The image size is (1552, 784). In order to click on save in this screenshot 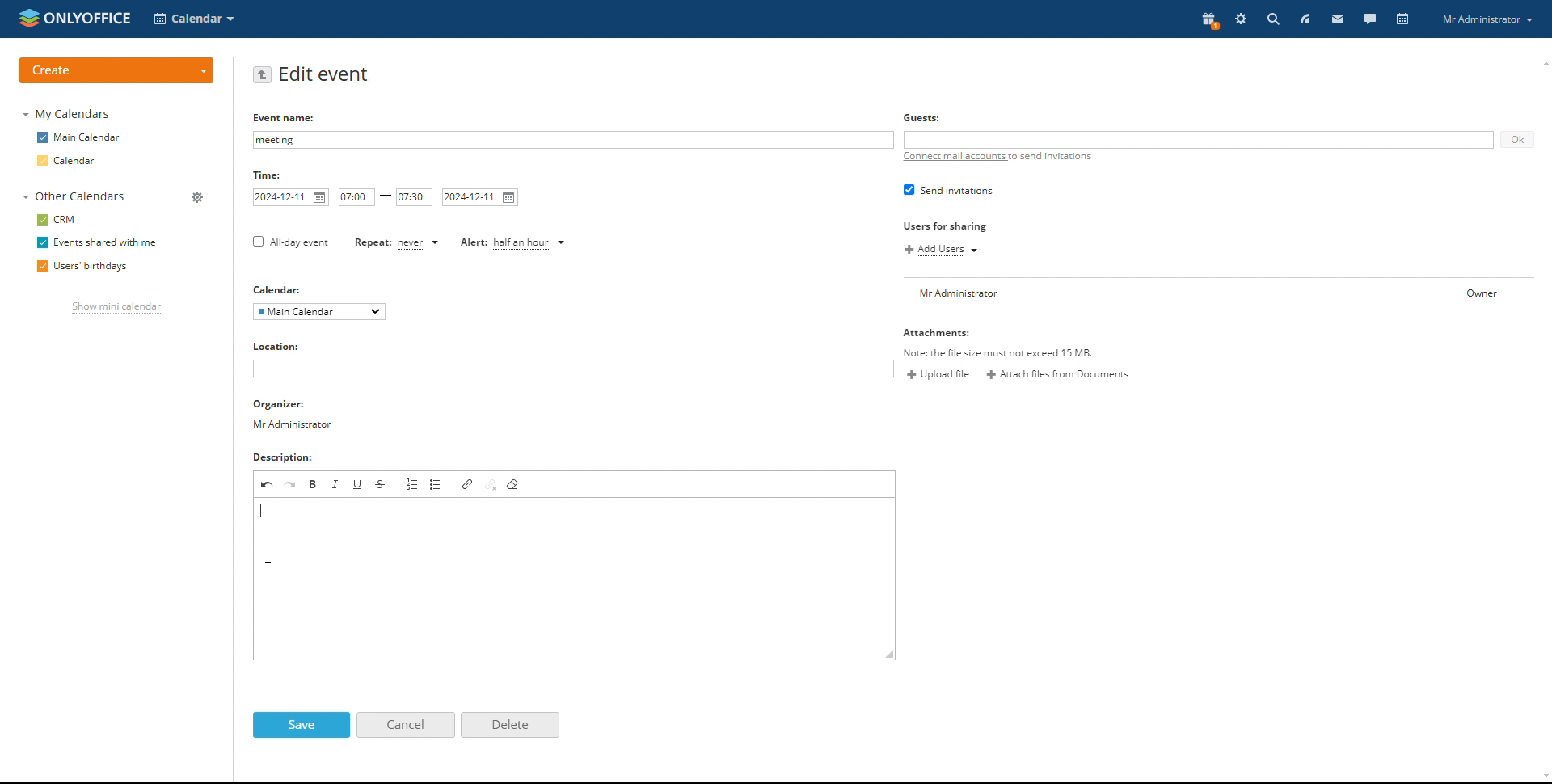, I will do `click(300, 726)`.